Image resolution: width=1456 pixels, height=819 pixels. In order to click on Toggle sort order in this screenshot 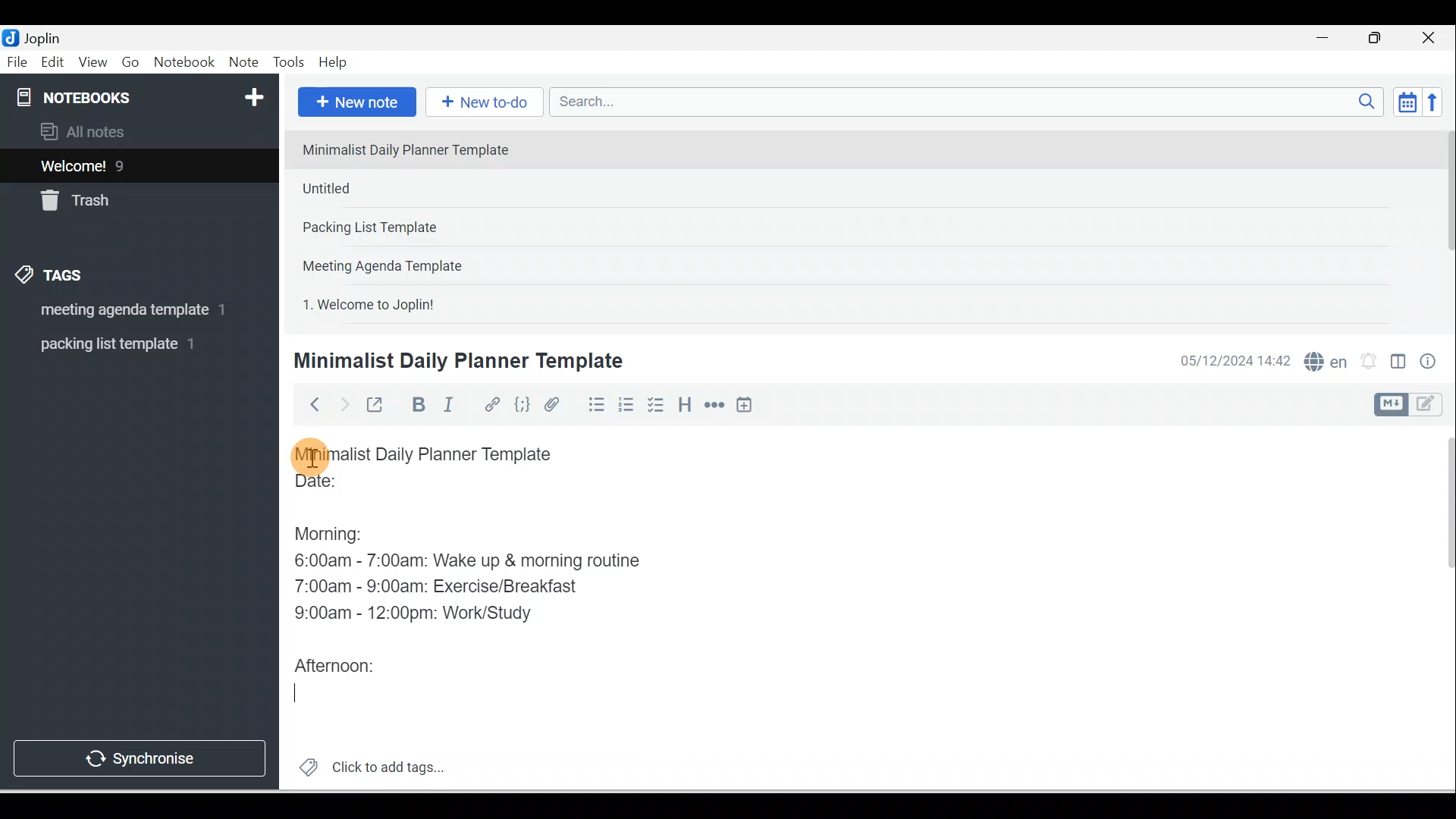, I will do `click(1407, 101)`.